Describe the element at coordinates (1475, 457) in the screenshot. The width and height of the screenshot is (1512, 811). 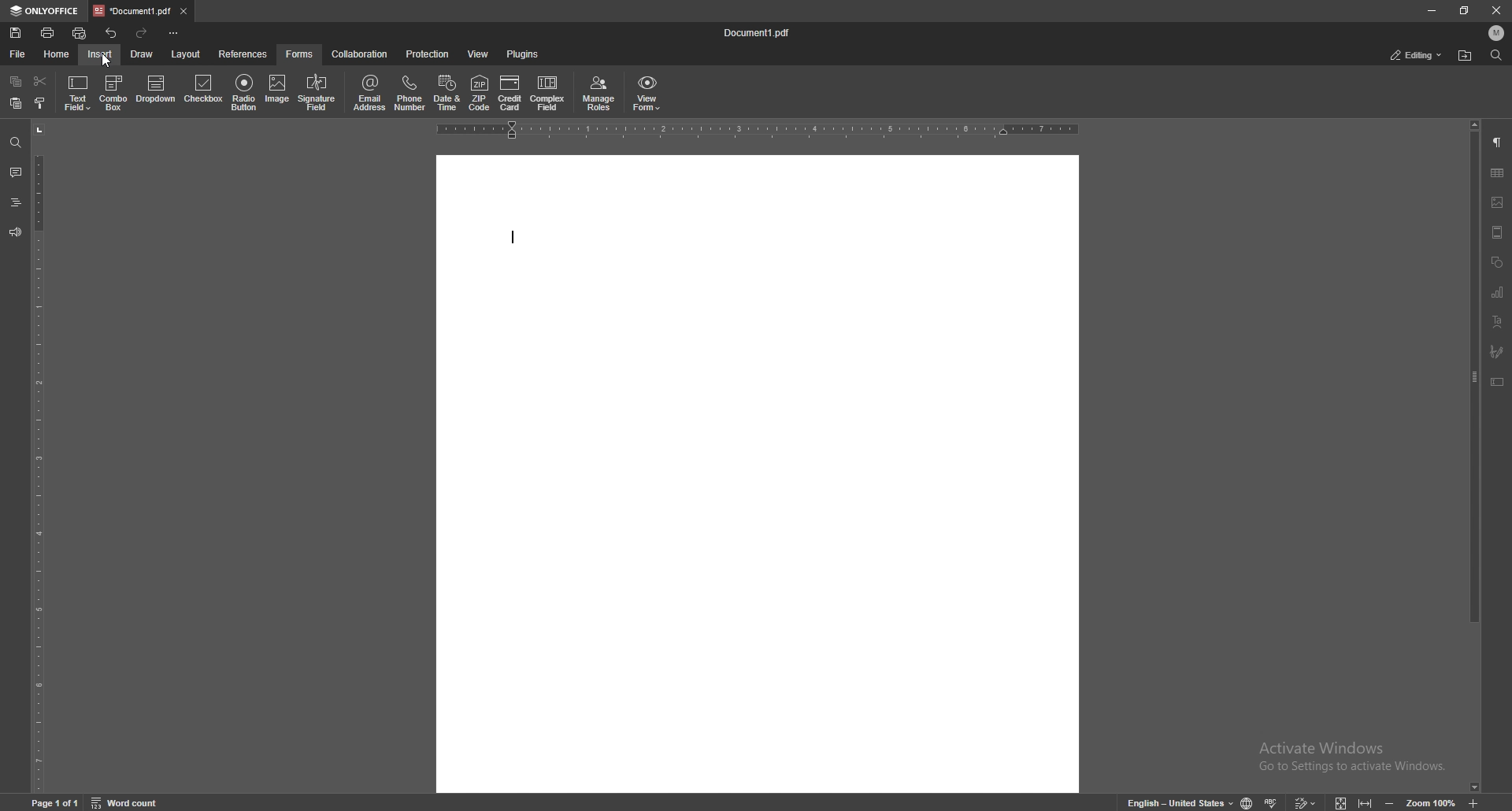
I see `scroll bar` at that location.